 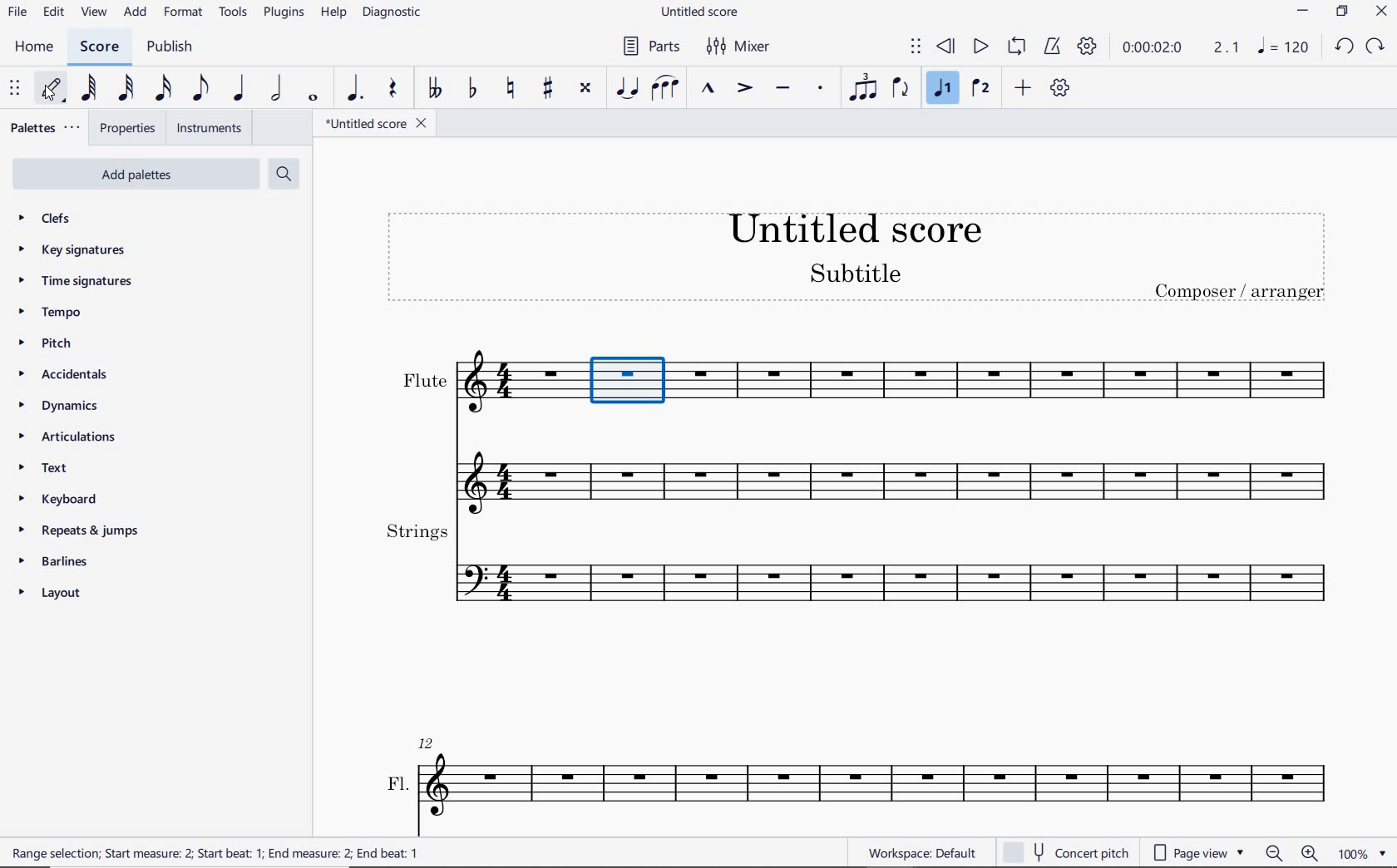 I want to click on TOGGLE FLAT, so click(x=471, y=89).